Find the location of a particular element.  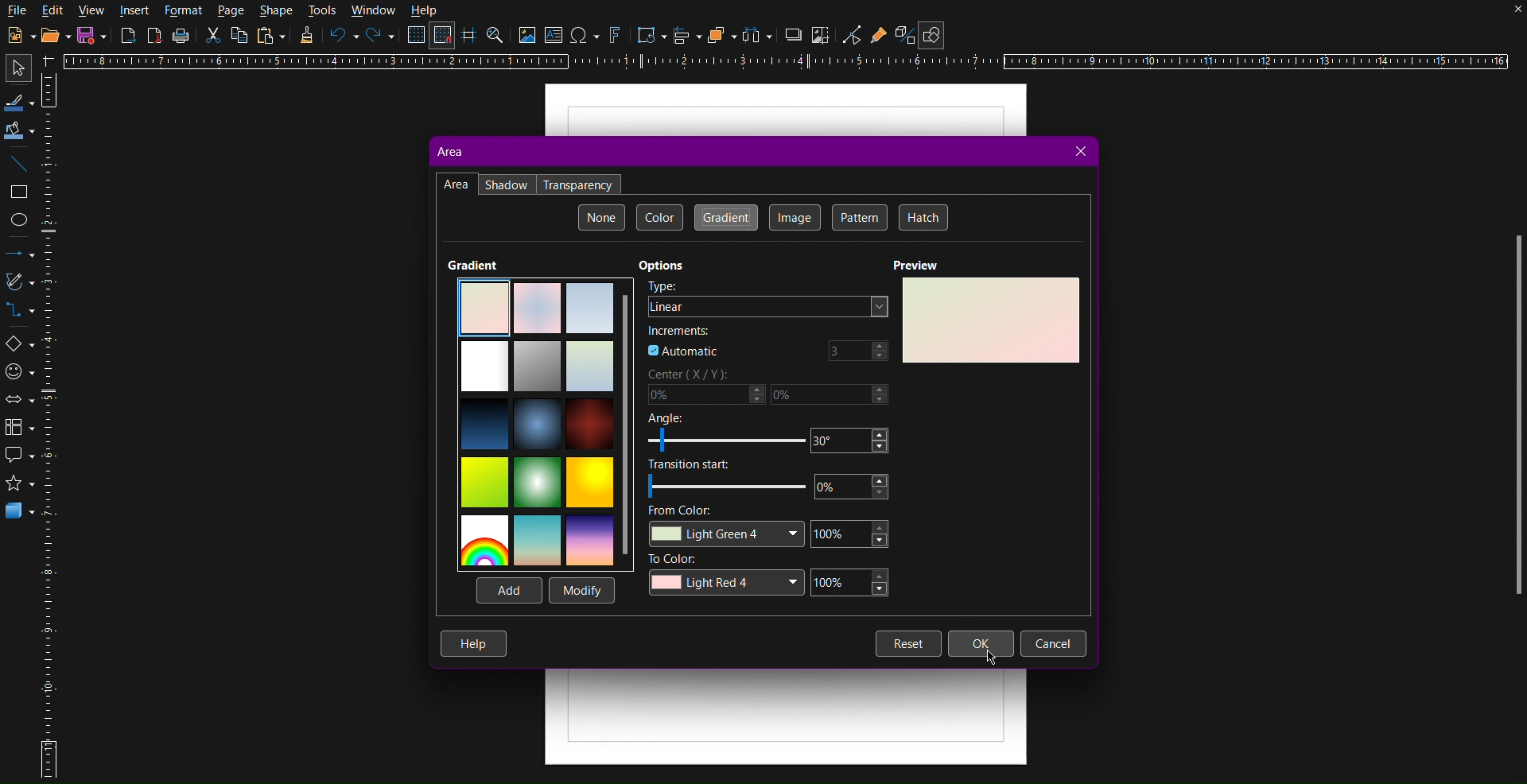

Image is located at coordinates (795, 218).